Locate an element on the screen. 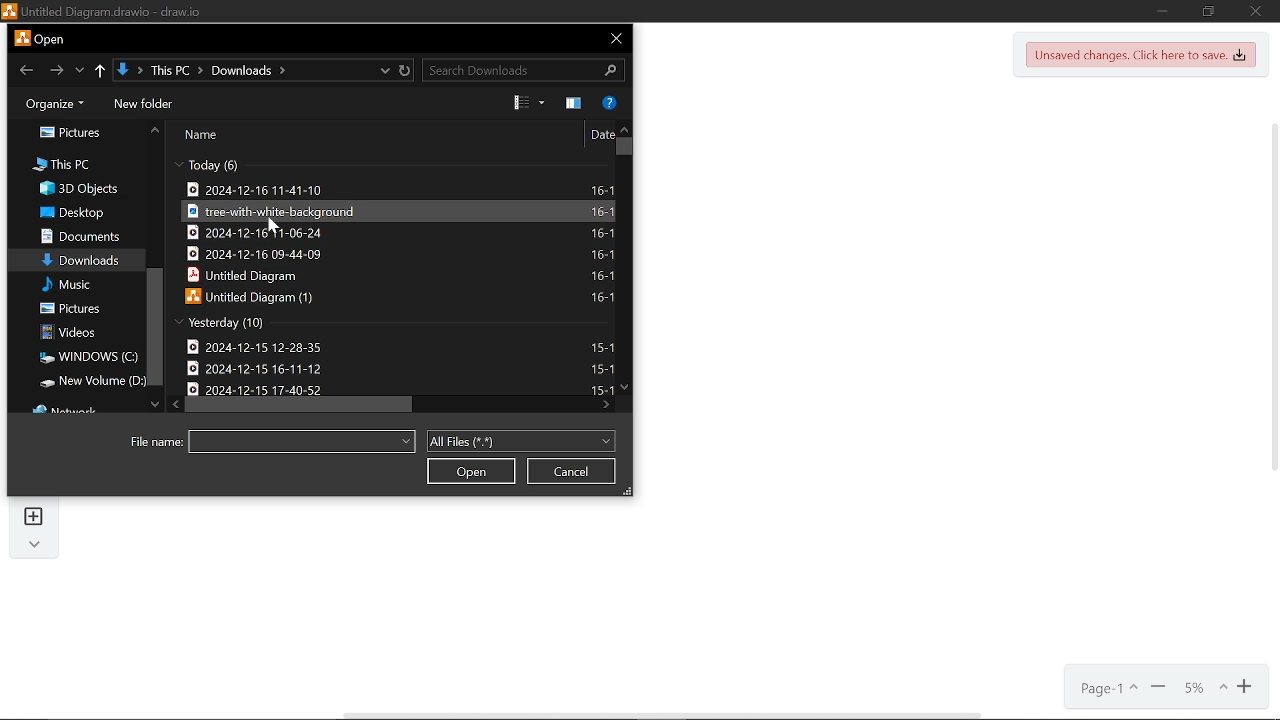  Next is located at coordinates (54, 71).